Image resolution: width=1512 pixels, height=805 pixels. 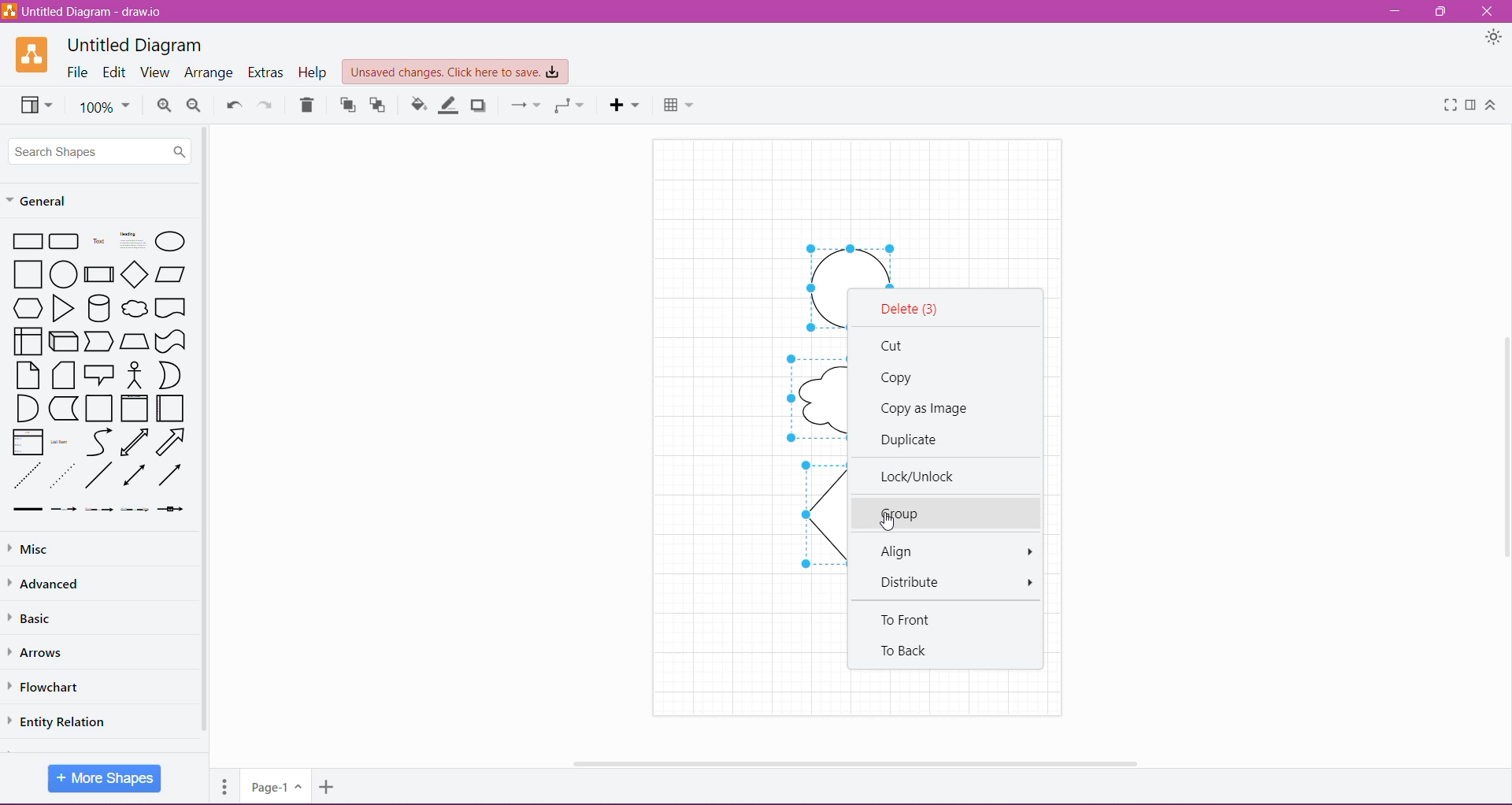 What do you see at coordinates (888, 524) in the screenshot?
I see `Cursor` at bounding box center [888, 524].